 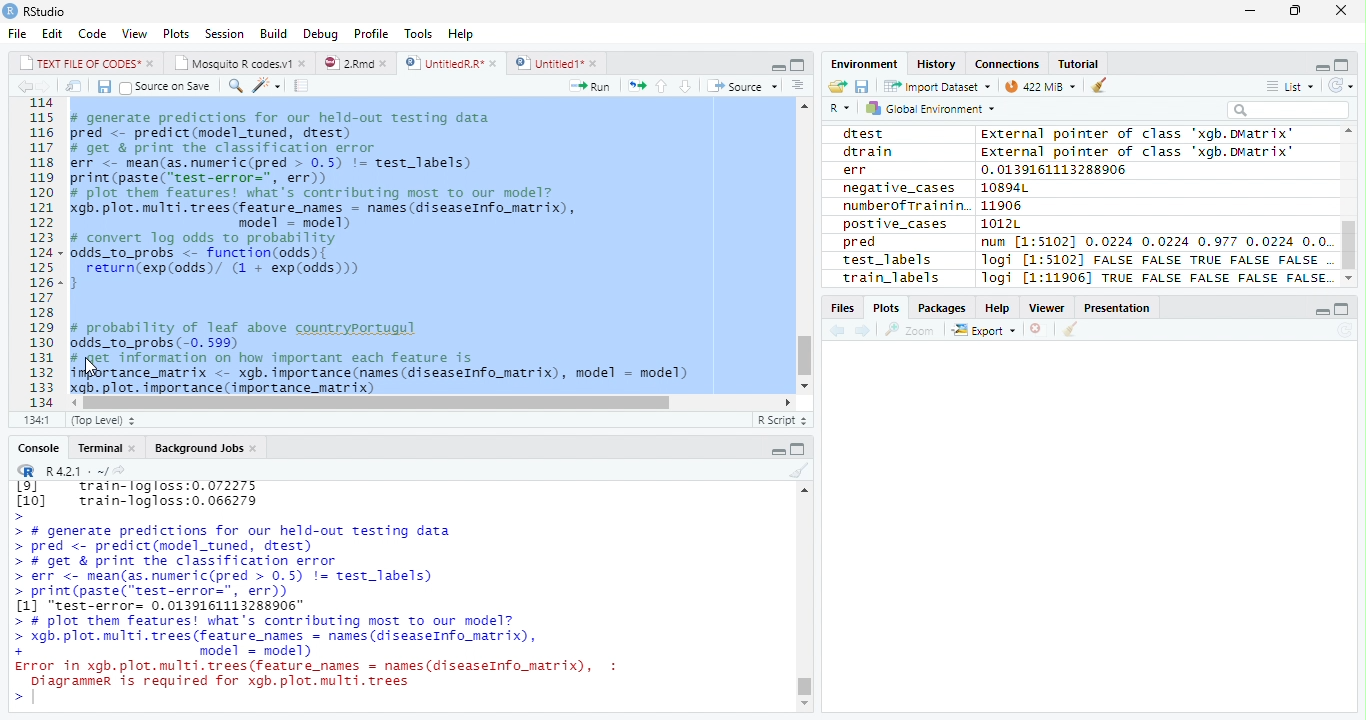 What do you see at coordinates (799, 84) in the screenshot?
I see `Show Document Outline` at bounding box center [799, 84].